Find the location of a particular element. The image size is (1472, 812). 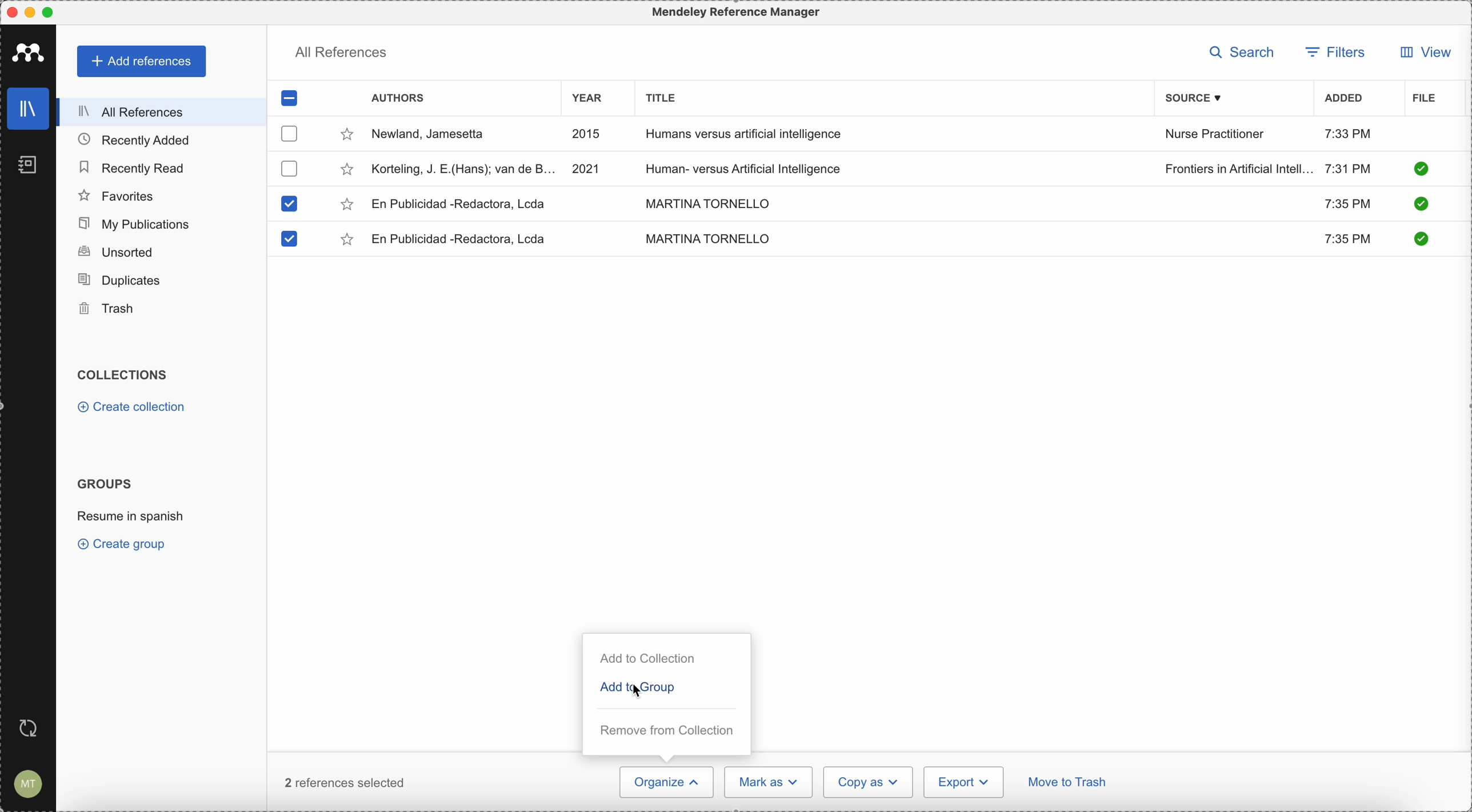

groups is located at coordinates (104, 482).